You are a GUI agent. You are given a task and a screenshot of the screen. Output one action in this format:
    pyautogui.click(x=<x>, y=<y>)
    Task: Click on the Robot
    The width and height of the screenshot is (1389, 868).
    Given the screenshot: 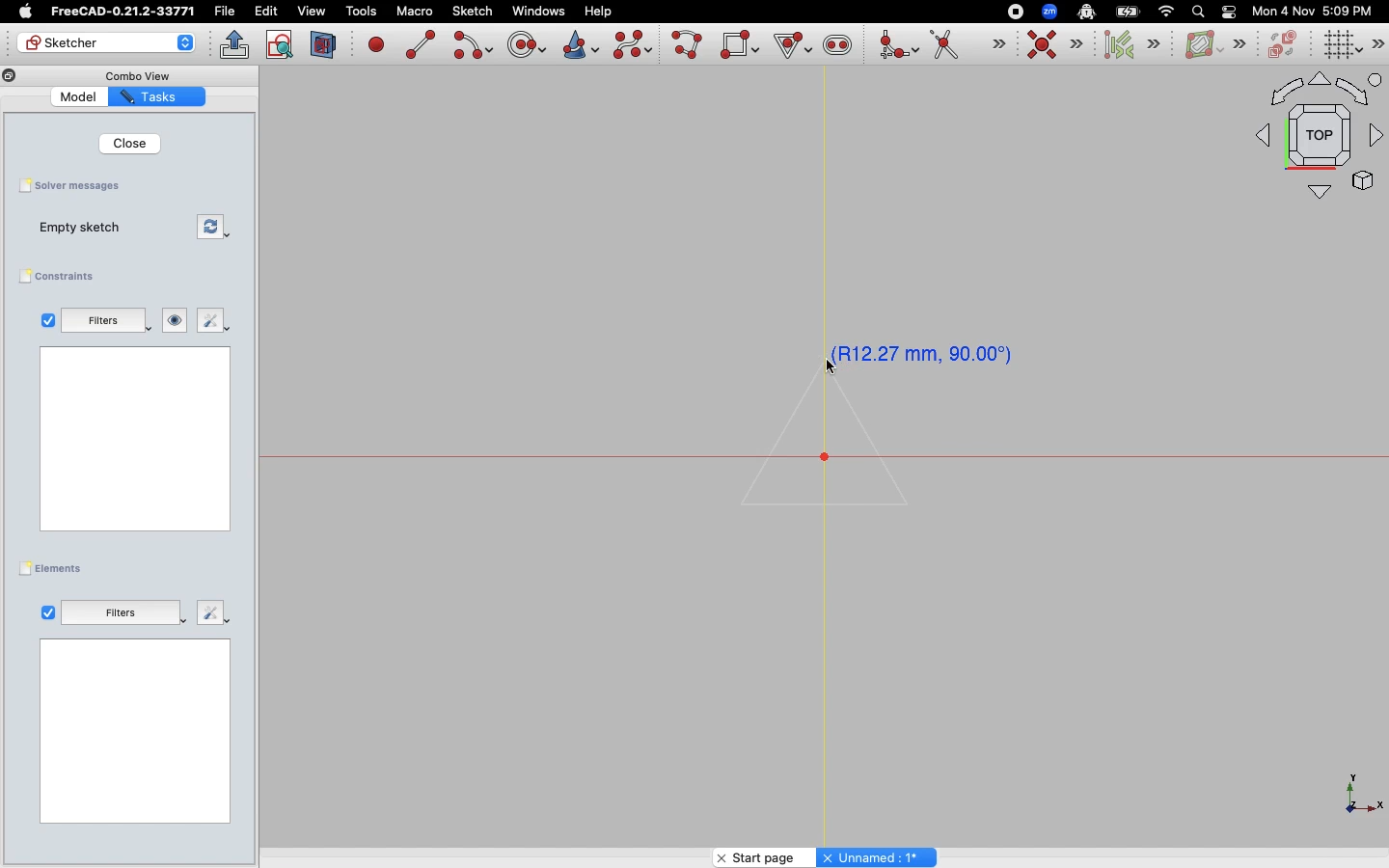 What is the action you would take?
    pyautogui.click(x=1086, y=14)
    